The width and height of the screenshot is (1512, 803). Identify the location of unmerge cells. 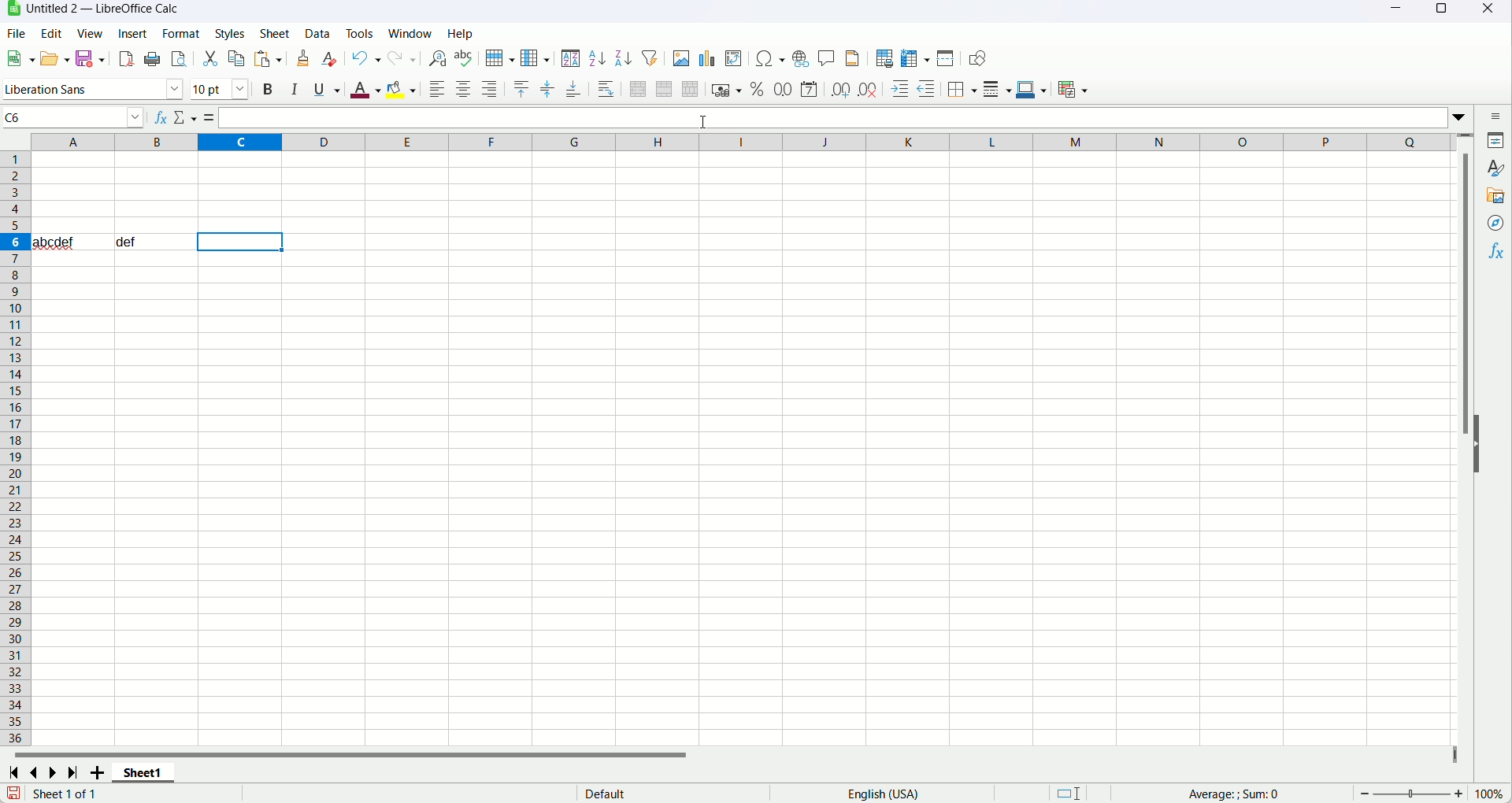
(691, 91).